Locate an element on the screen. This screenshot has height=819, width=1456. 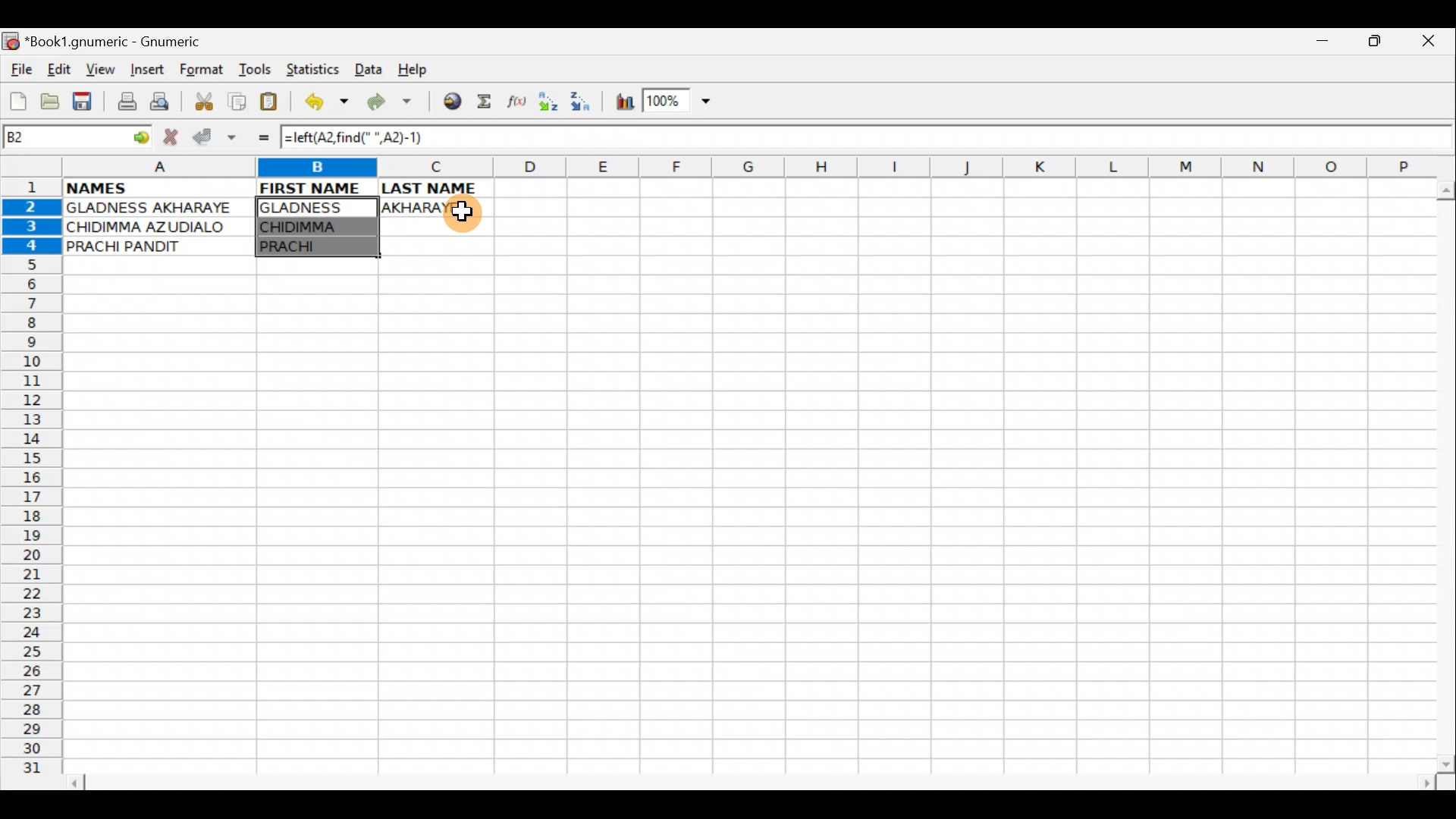
Undo last action is located at coordinates (328, 104).